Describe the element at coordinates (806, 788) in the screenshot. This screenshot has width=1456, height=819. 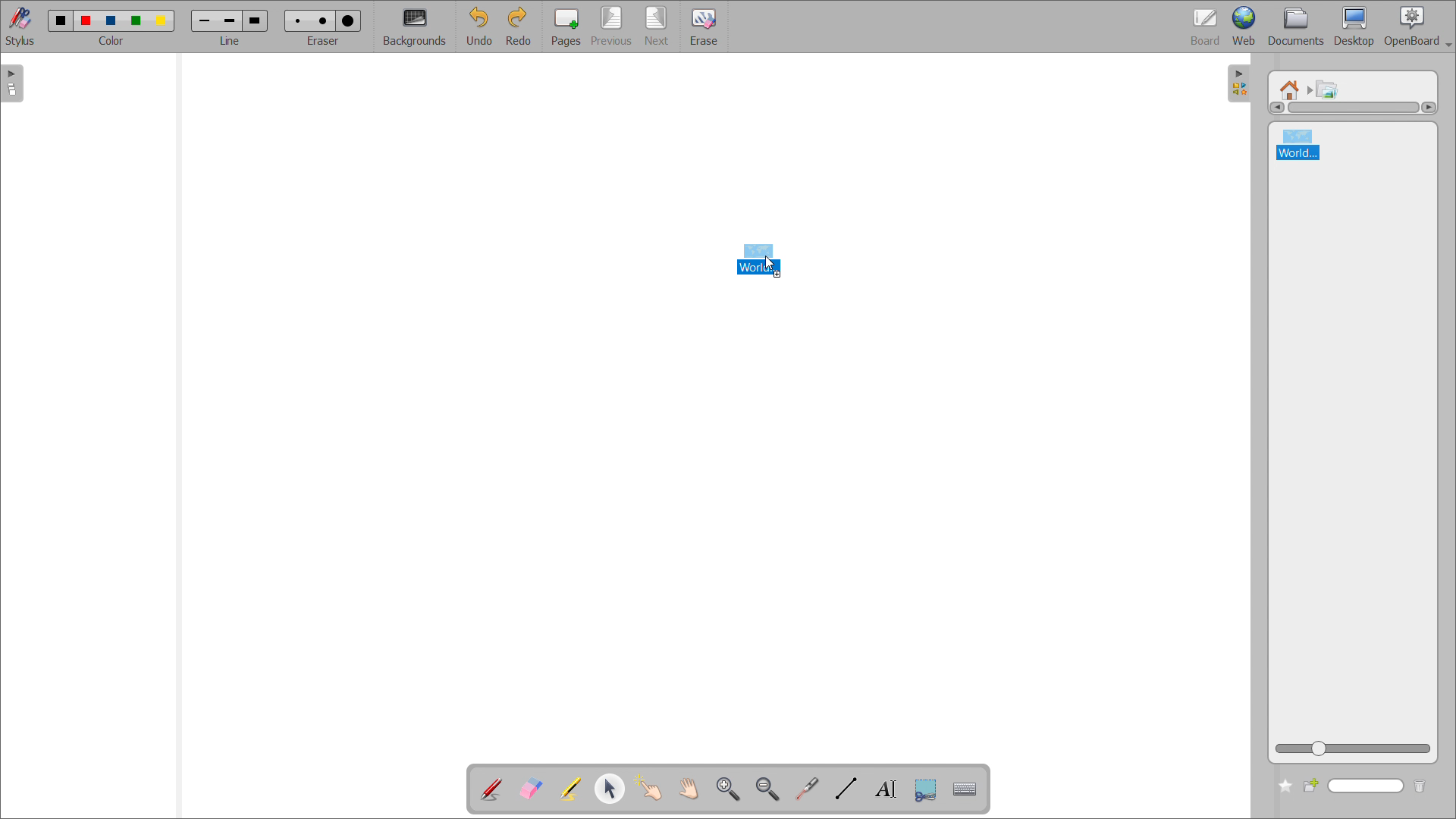
I see `virtual laser pointer` at that location.